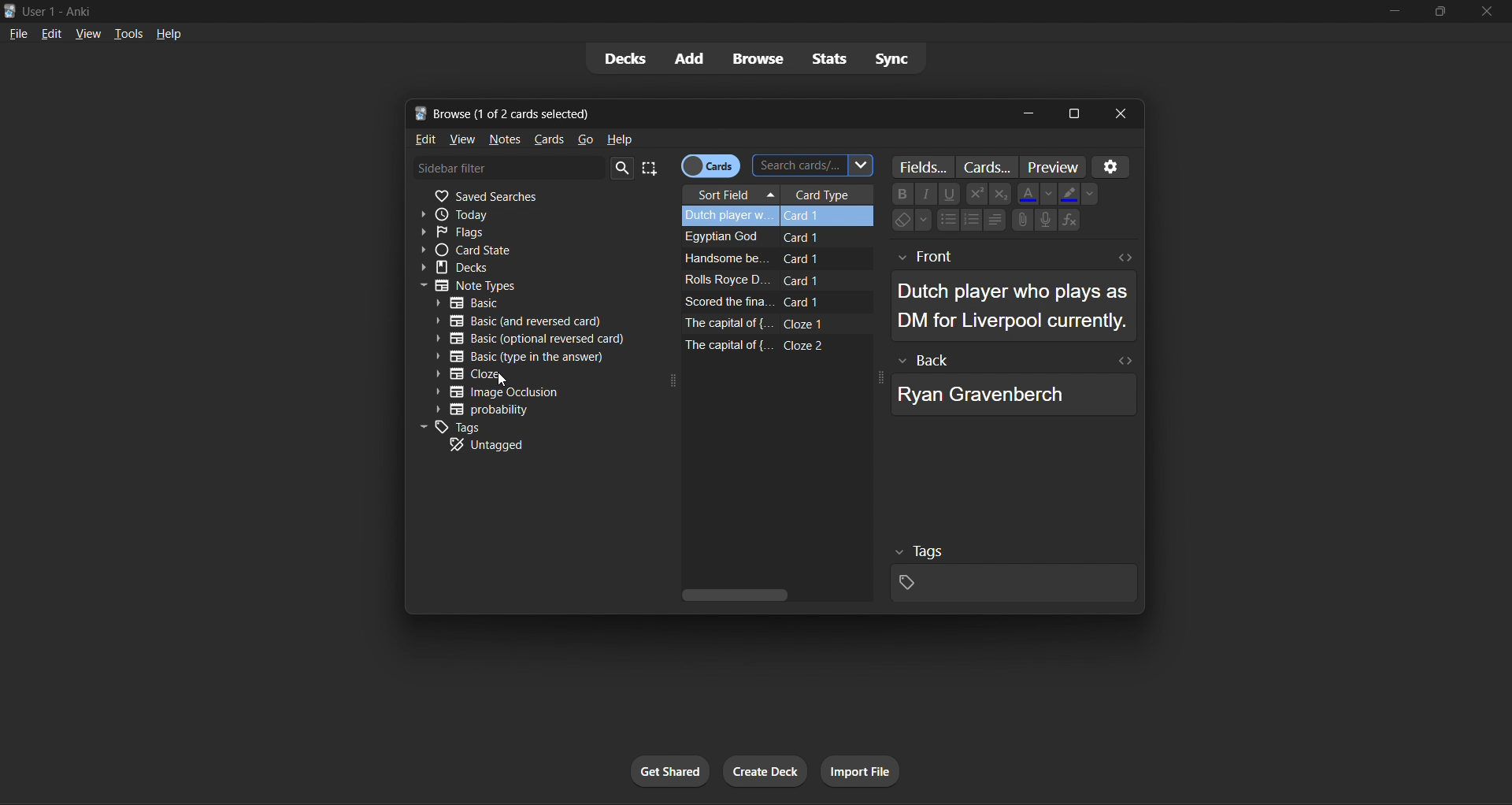 The width and height of the screenshot is (1512, 805). Describe the element at coordinates (536, 303) in the screenshot. I see `basic type` at that location.